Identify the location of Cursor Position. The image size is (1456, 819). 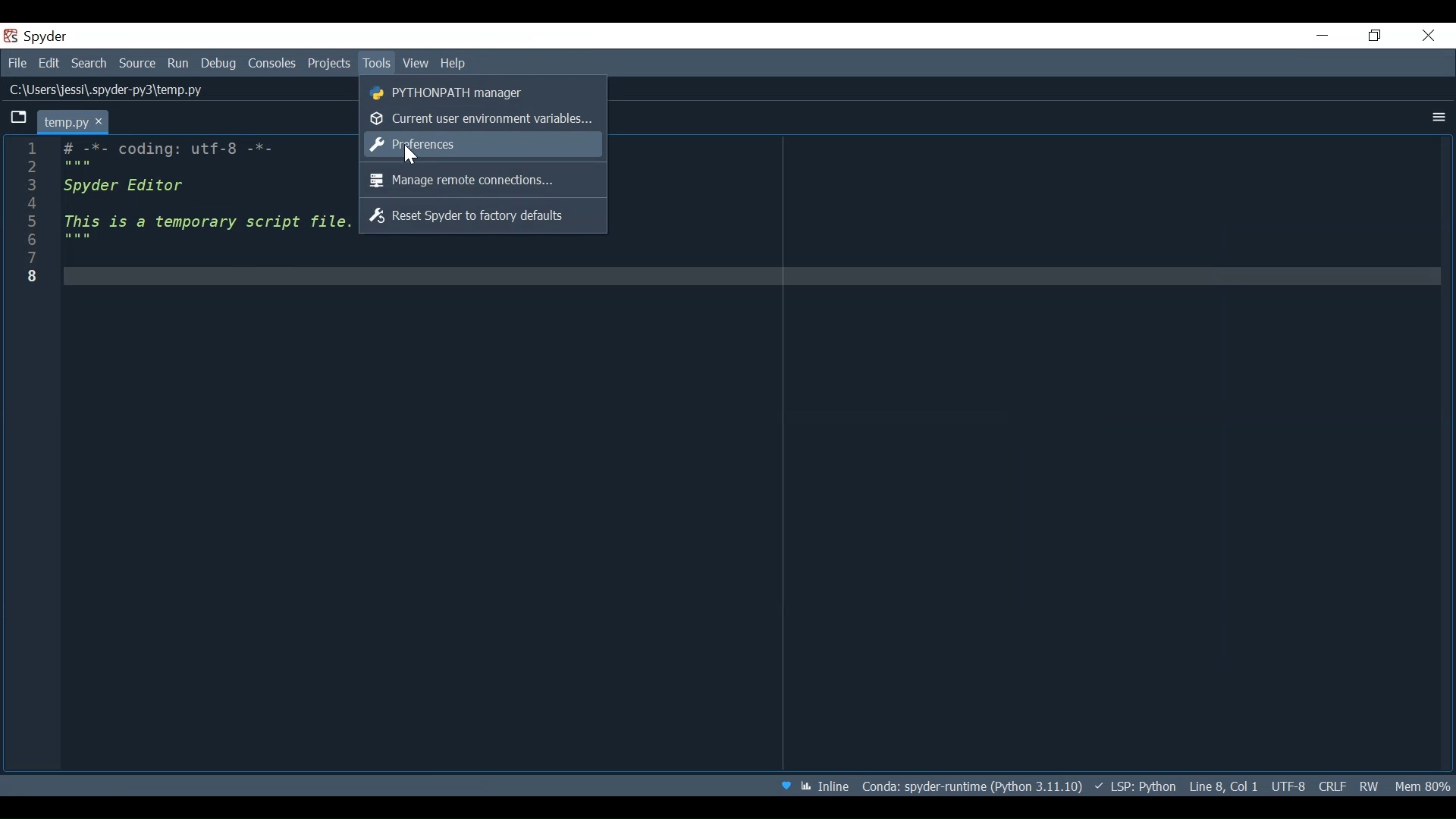
(1244, 788).